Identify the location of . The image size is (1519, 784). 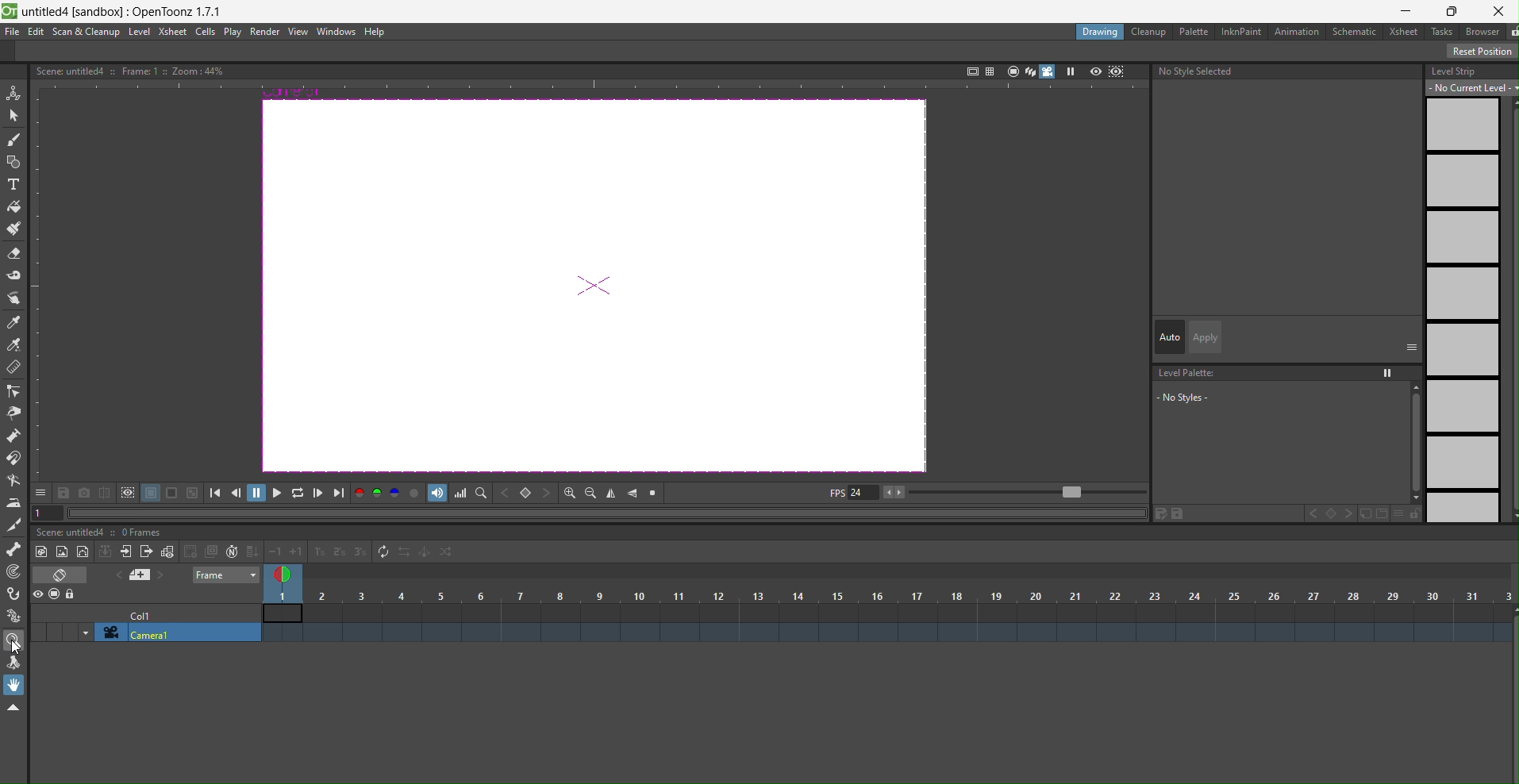
(450, 551).